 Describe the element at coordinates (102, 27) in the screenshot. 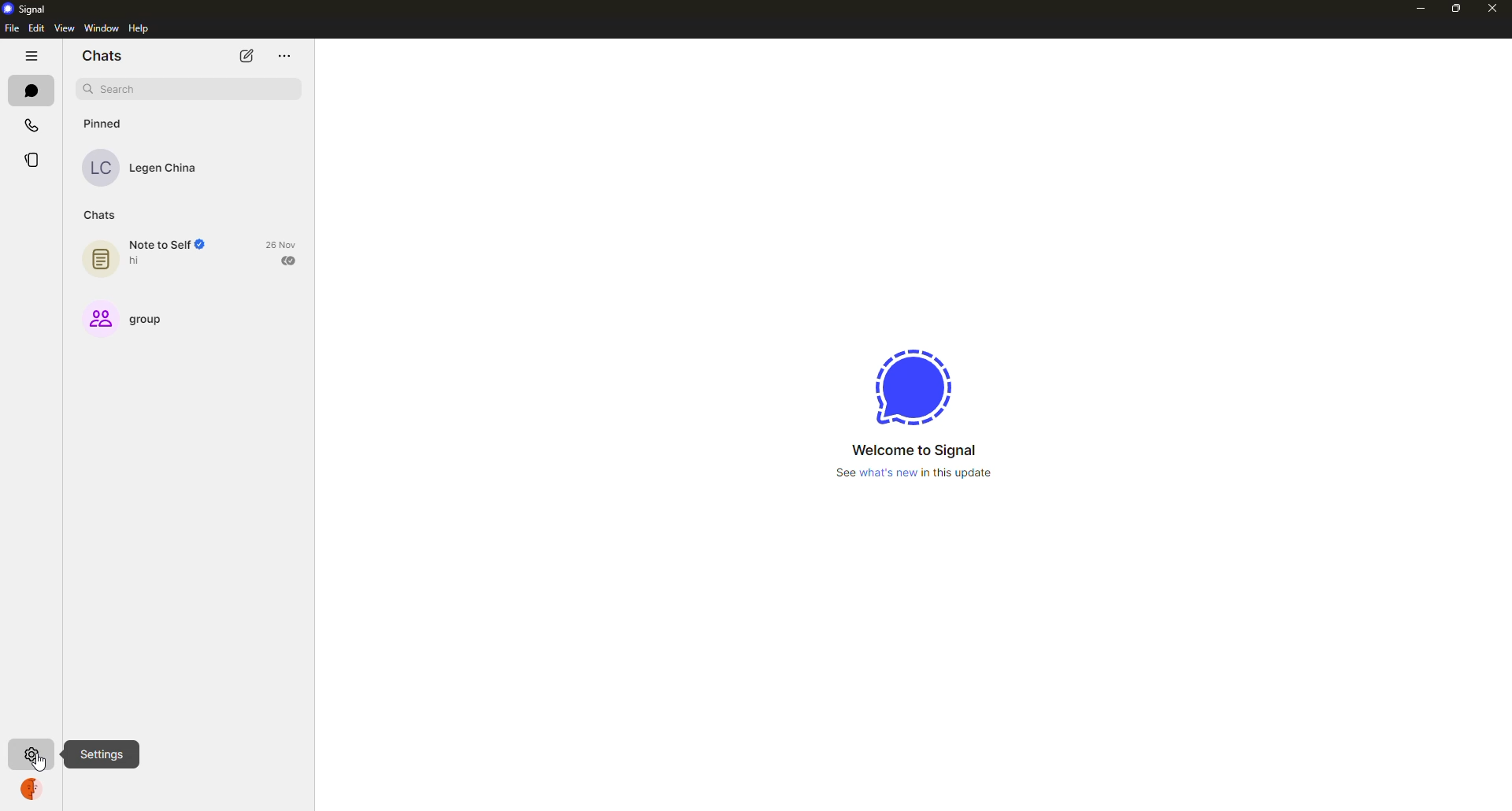

I see `window` at that location.